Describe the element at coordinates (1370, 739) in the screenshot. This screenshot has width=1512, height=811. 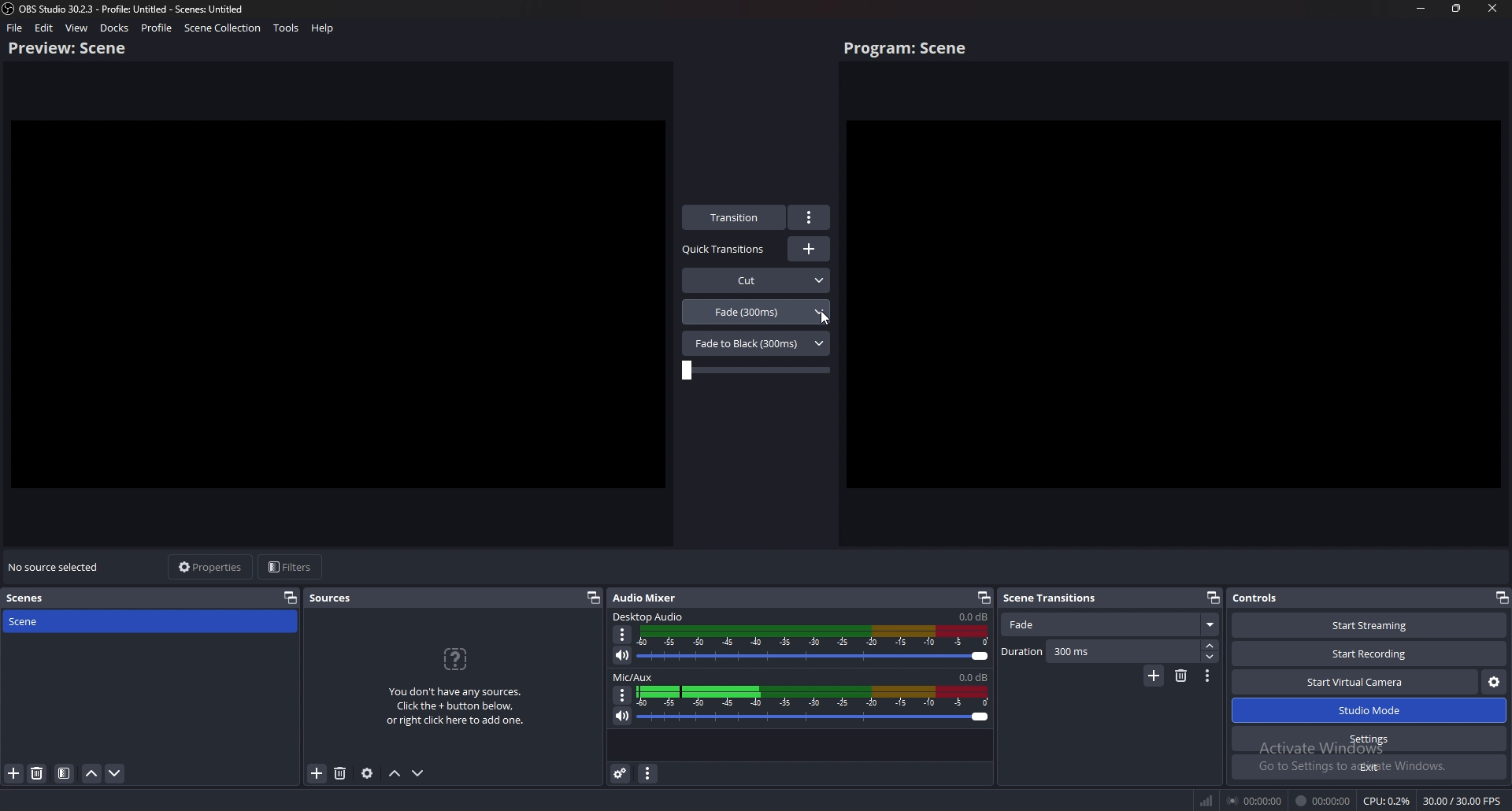
I see `Settings` at that location.